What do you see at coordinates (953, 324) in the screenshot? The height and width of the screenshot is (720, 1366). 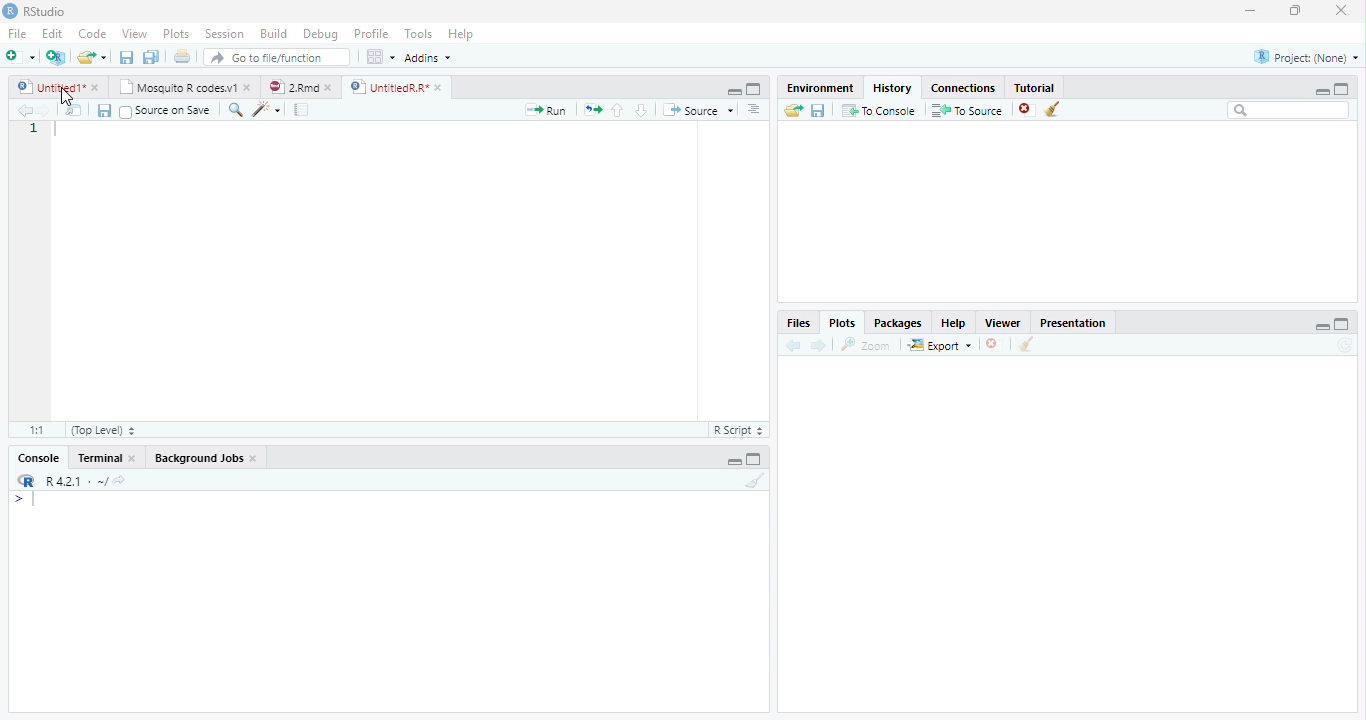 I see `Help` at bounding box center [953, 324].